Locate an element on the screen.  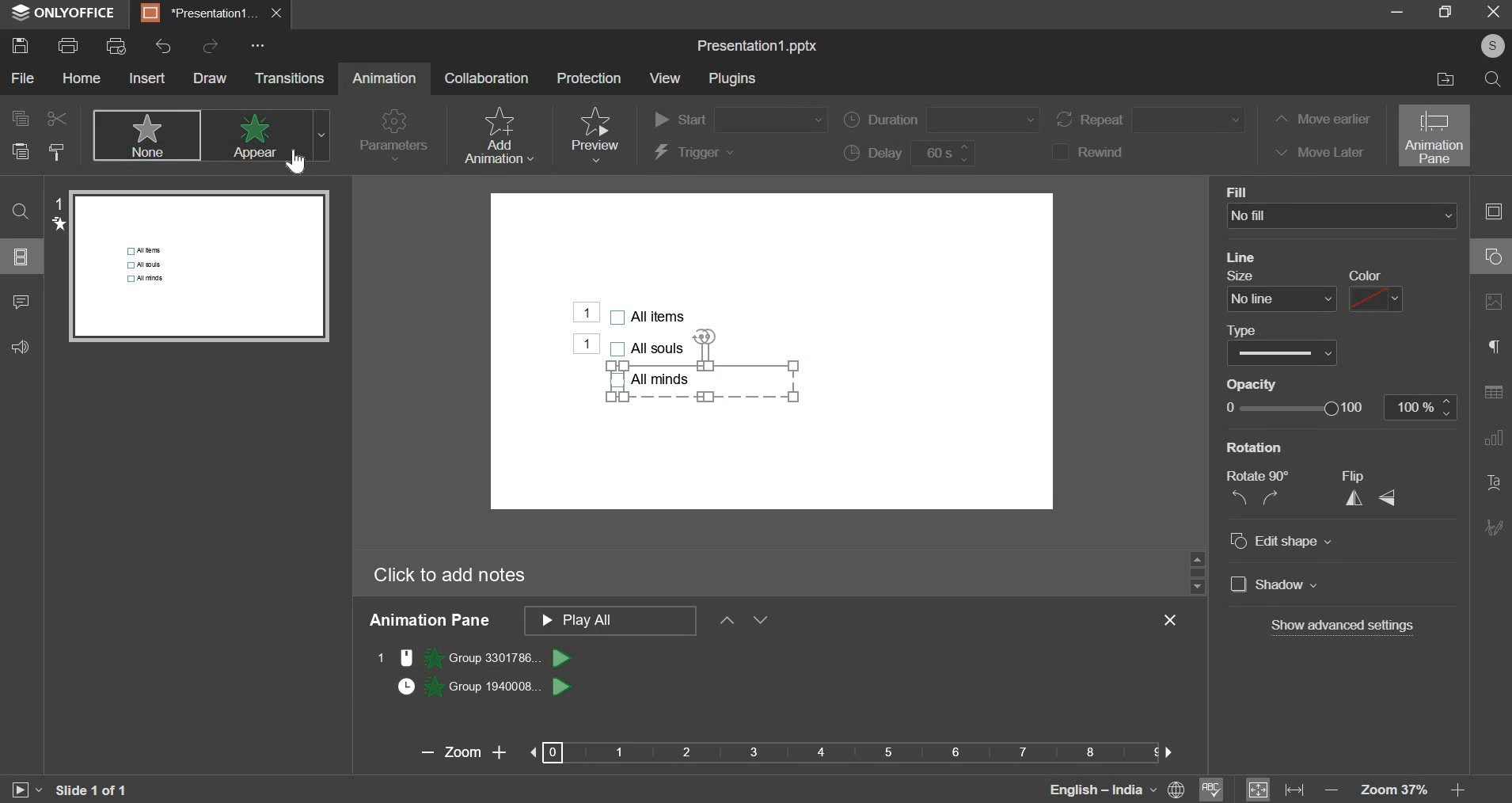
Show advanced settings is located at coordinates (1342, 626).